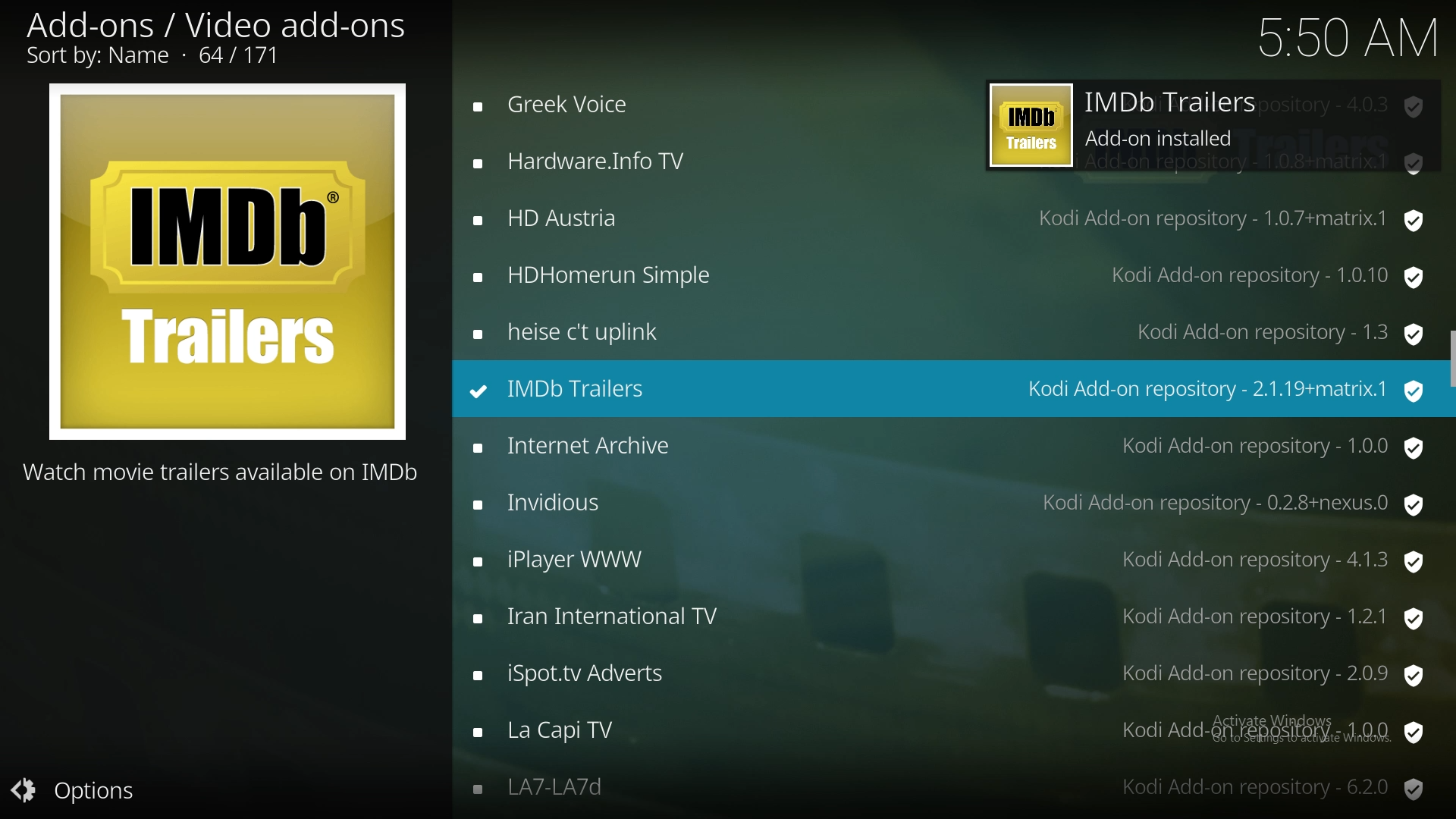  Describe the element at coordinates (948, 504) in the screenshot. I see `add on` at that location.